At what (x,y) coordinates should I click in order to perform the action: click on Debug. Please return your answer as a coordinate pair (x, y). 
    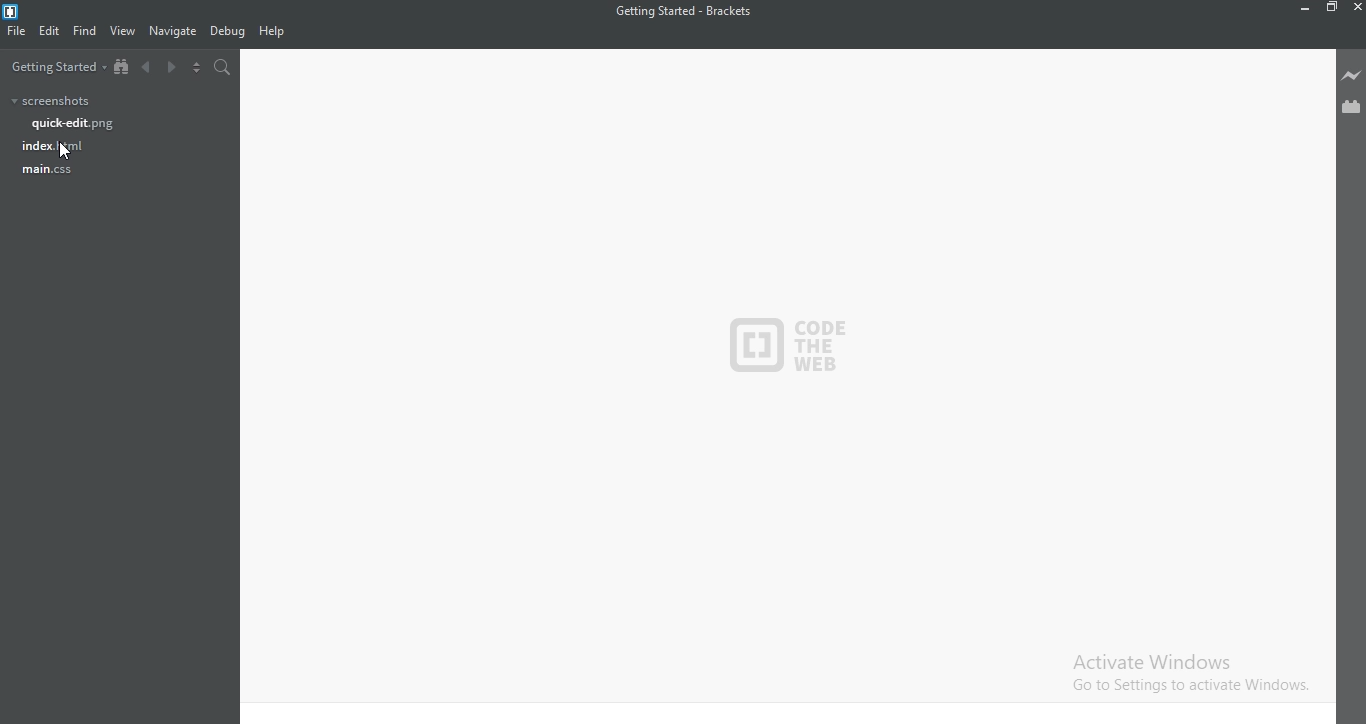
    Looking at the image, I should click on (228, 32).